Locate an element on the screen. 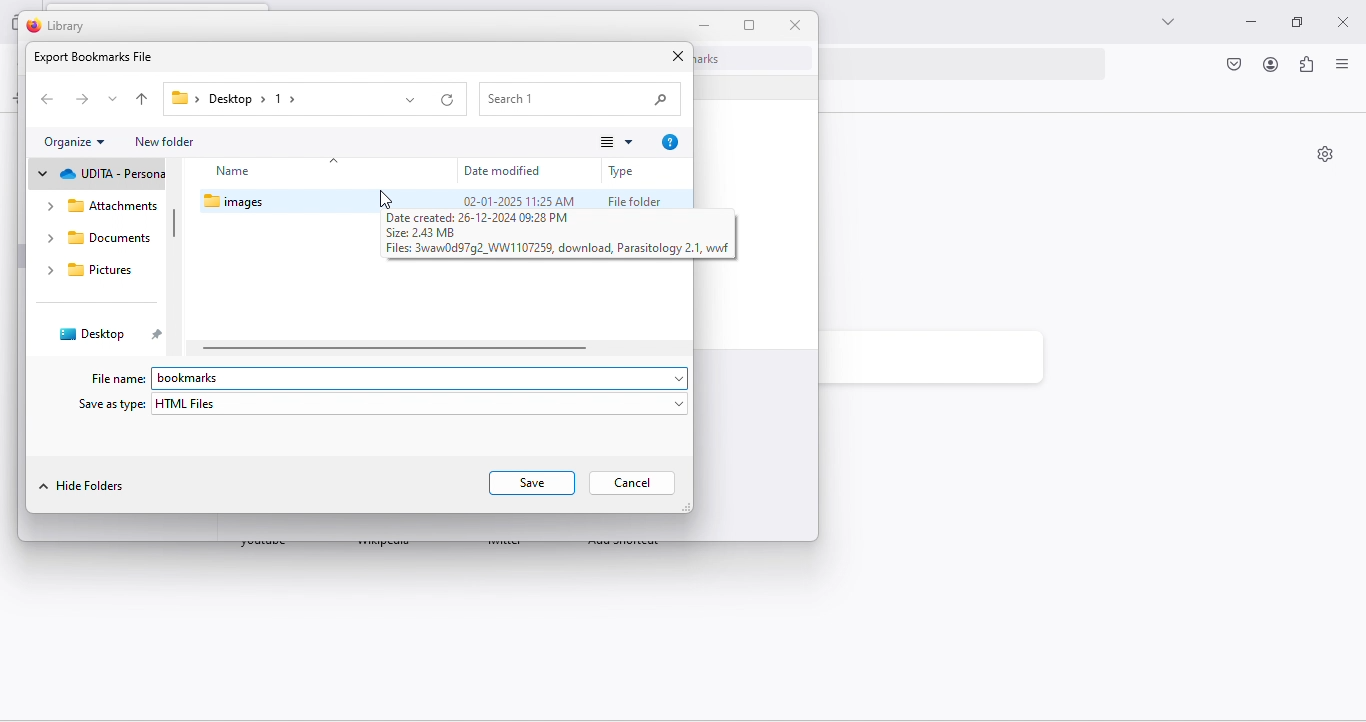 The height and width of the screenshot is (722, 1366). file name is located at coordinates (116, 378).